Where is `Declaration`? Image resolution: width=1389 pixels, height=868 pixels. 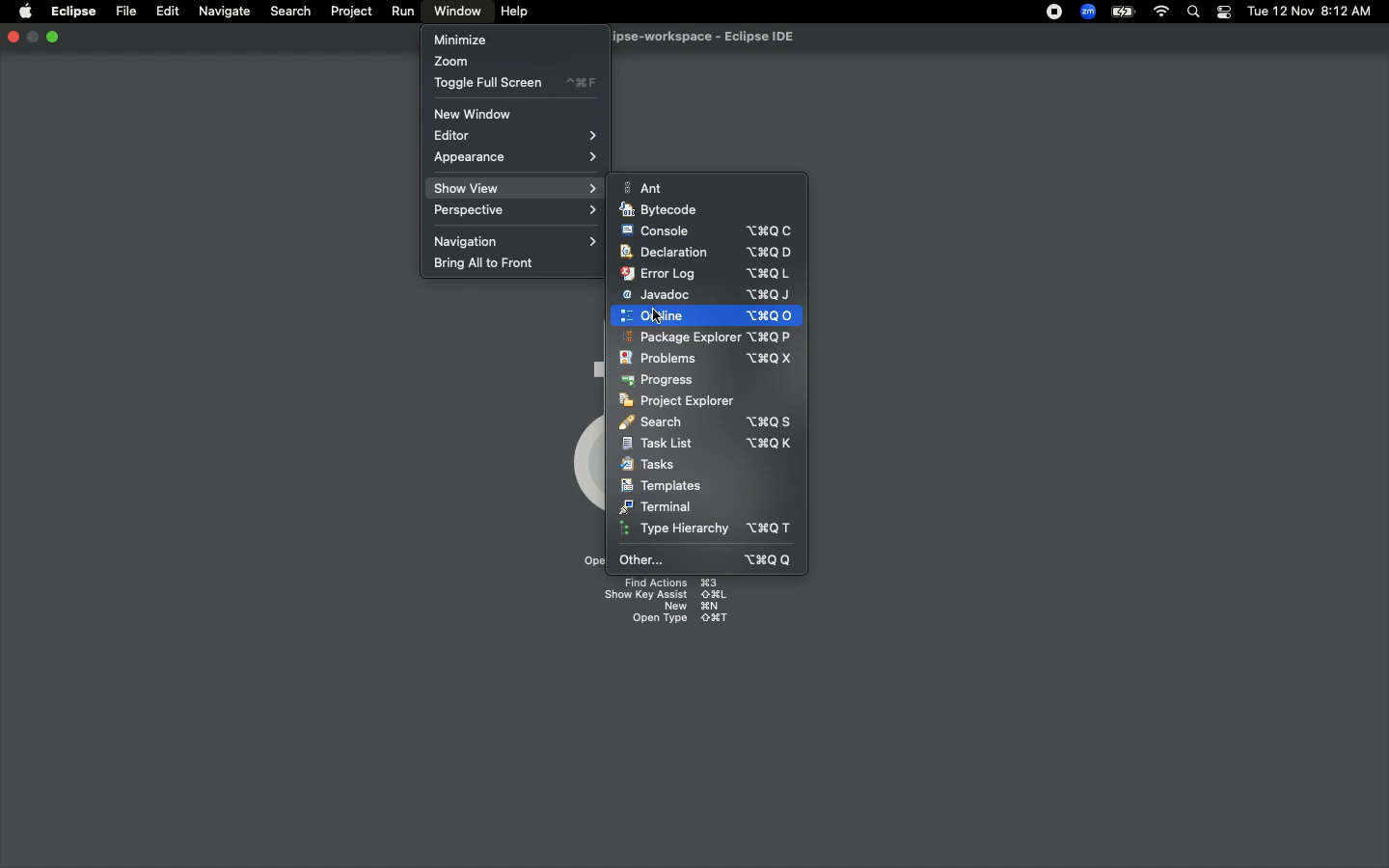 Declaration is located at coordinates (710, 253).